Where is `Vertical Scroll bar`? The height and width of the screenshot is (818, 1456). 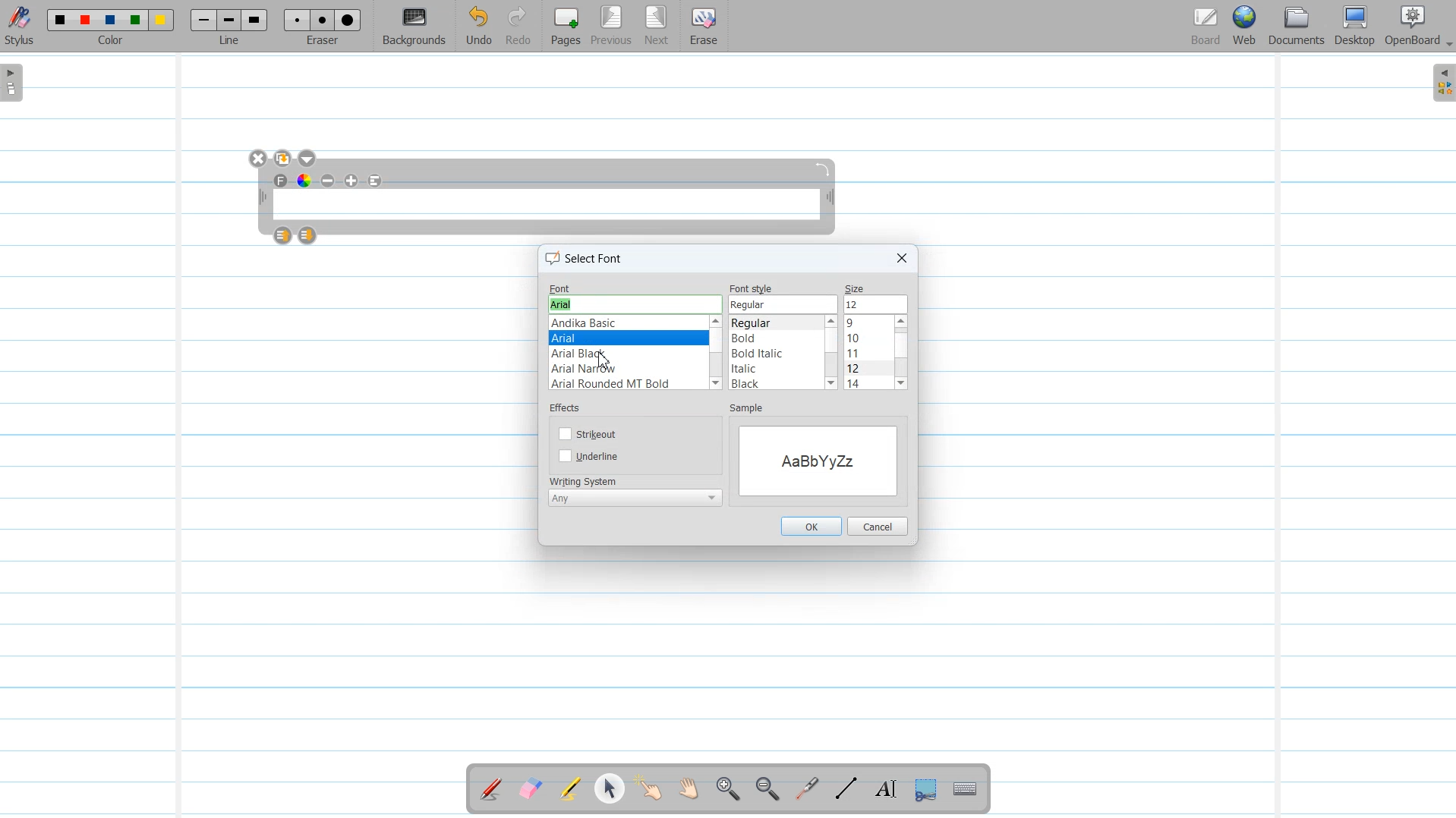 Vertical Scroll bar is located at coordinates (717, 354).